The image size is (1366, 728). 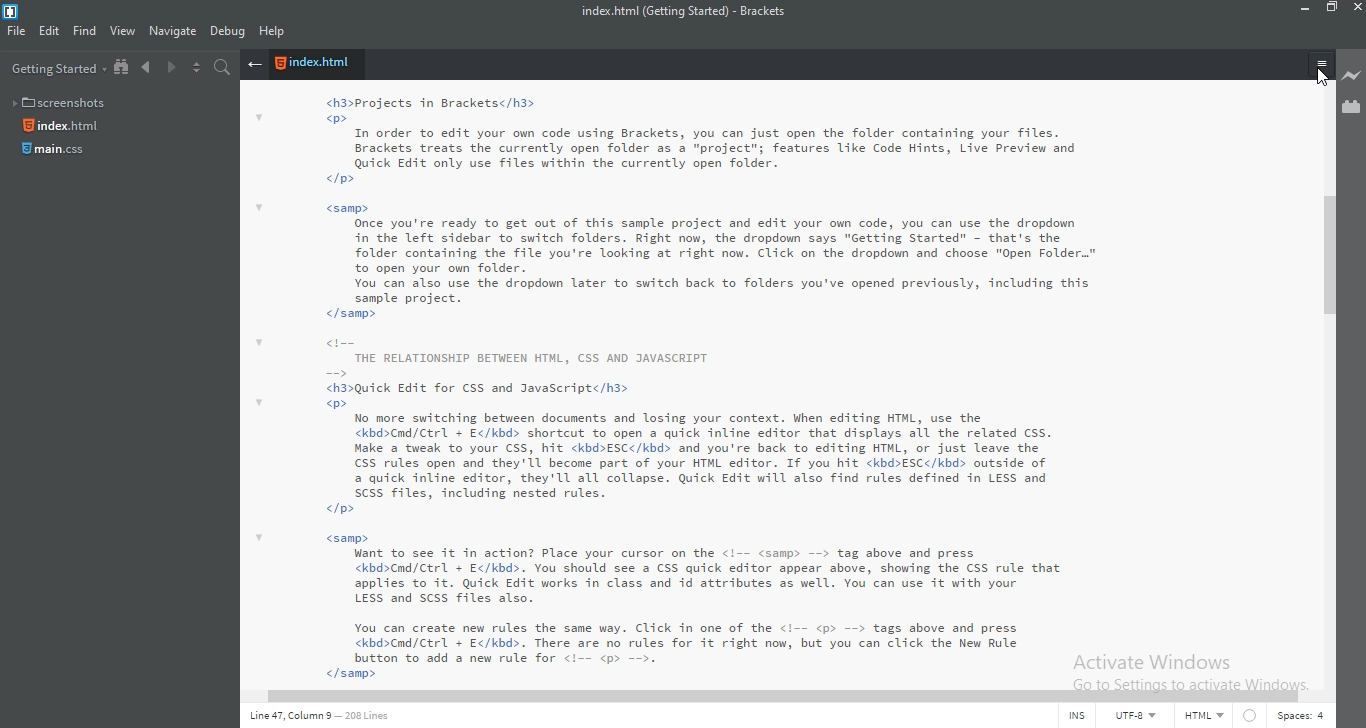 I want to click on Next document, so click(x=170, y=69).